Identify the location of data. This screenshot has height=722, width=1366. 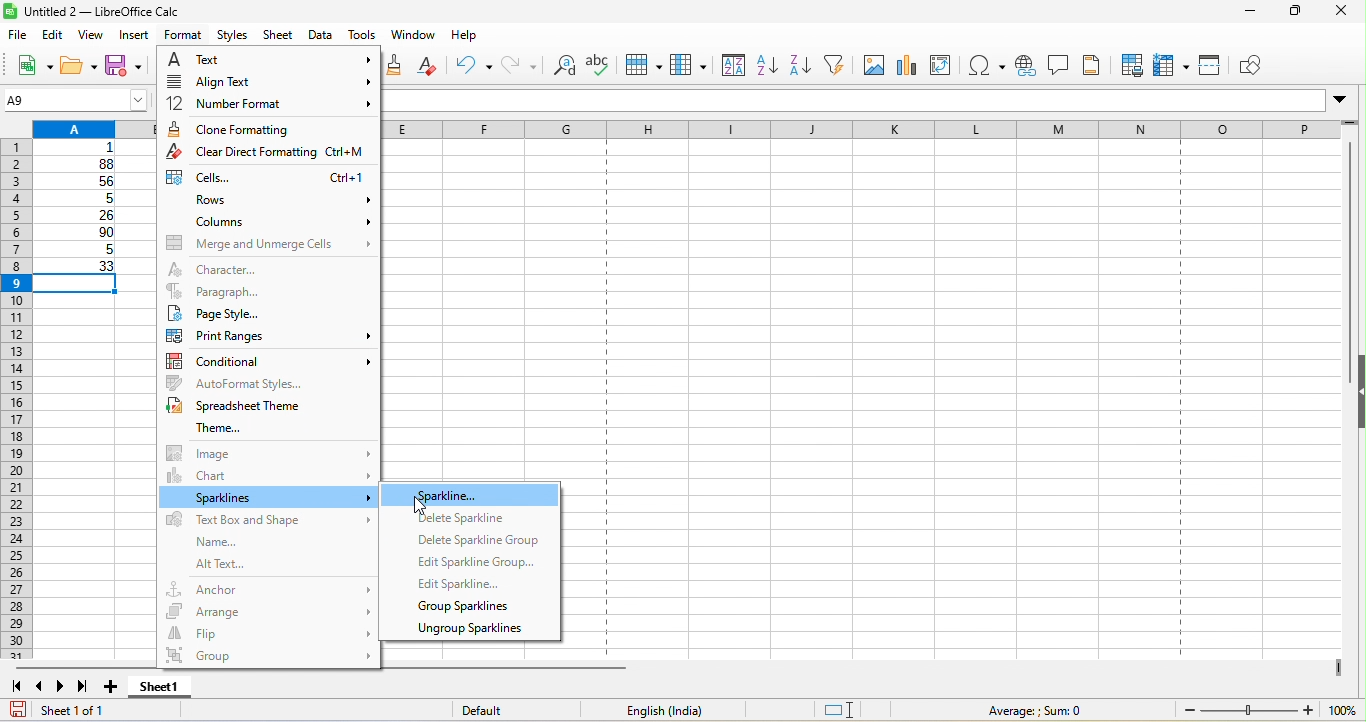
(322, 36).